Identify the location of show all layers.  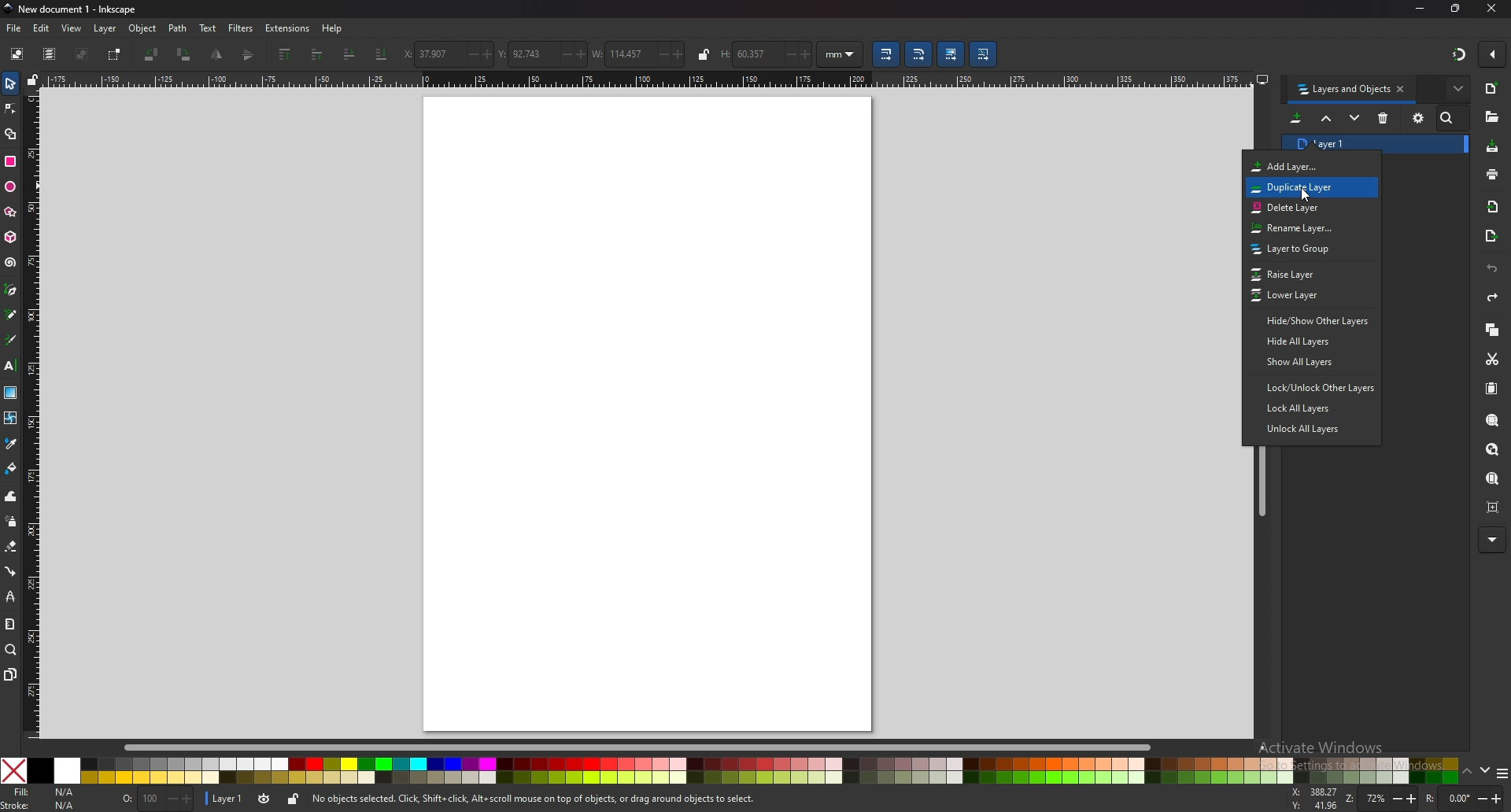
(1308, 363).